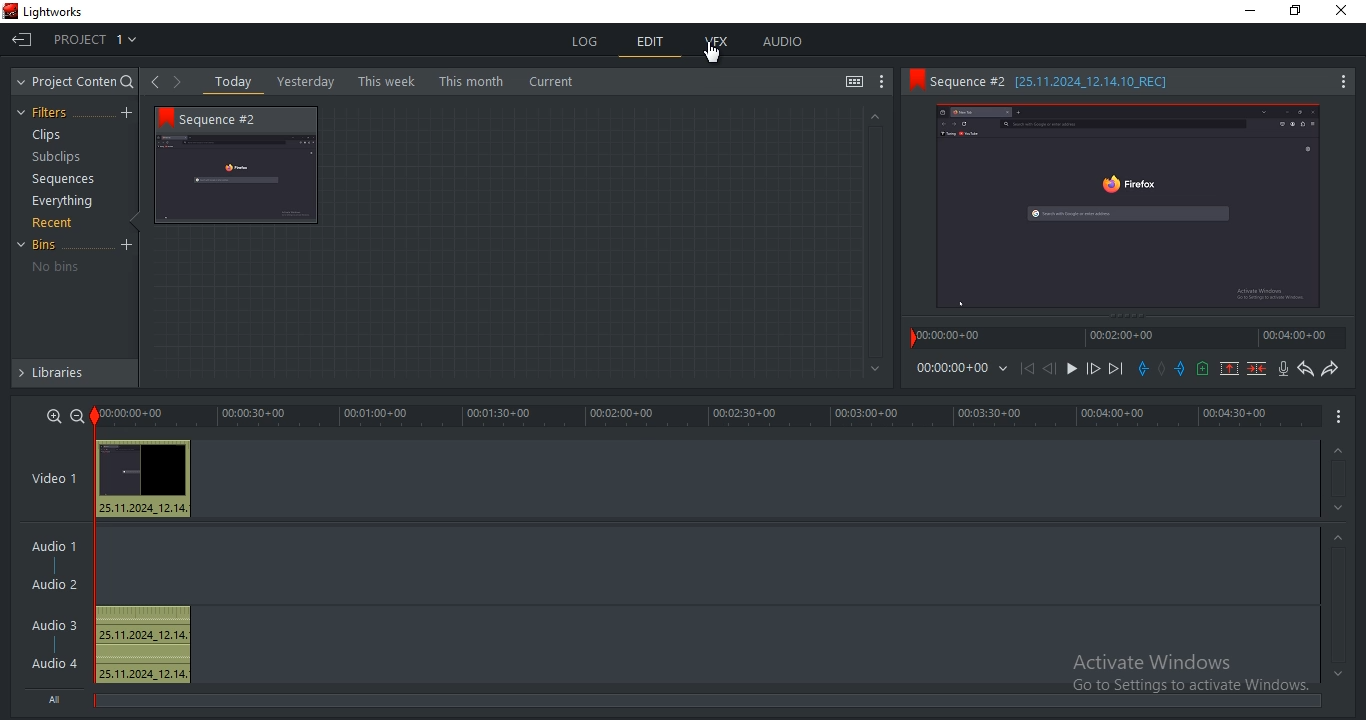  What do you see at coordinates (76, 415) in the screenshot?
I see `zoom out` at bounding box center [76, 415].